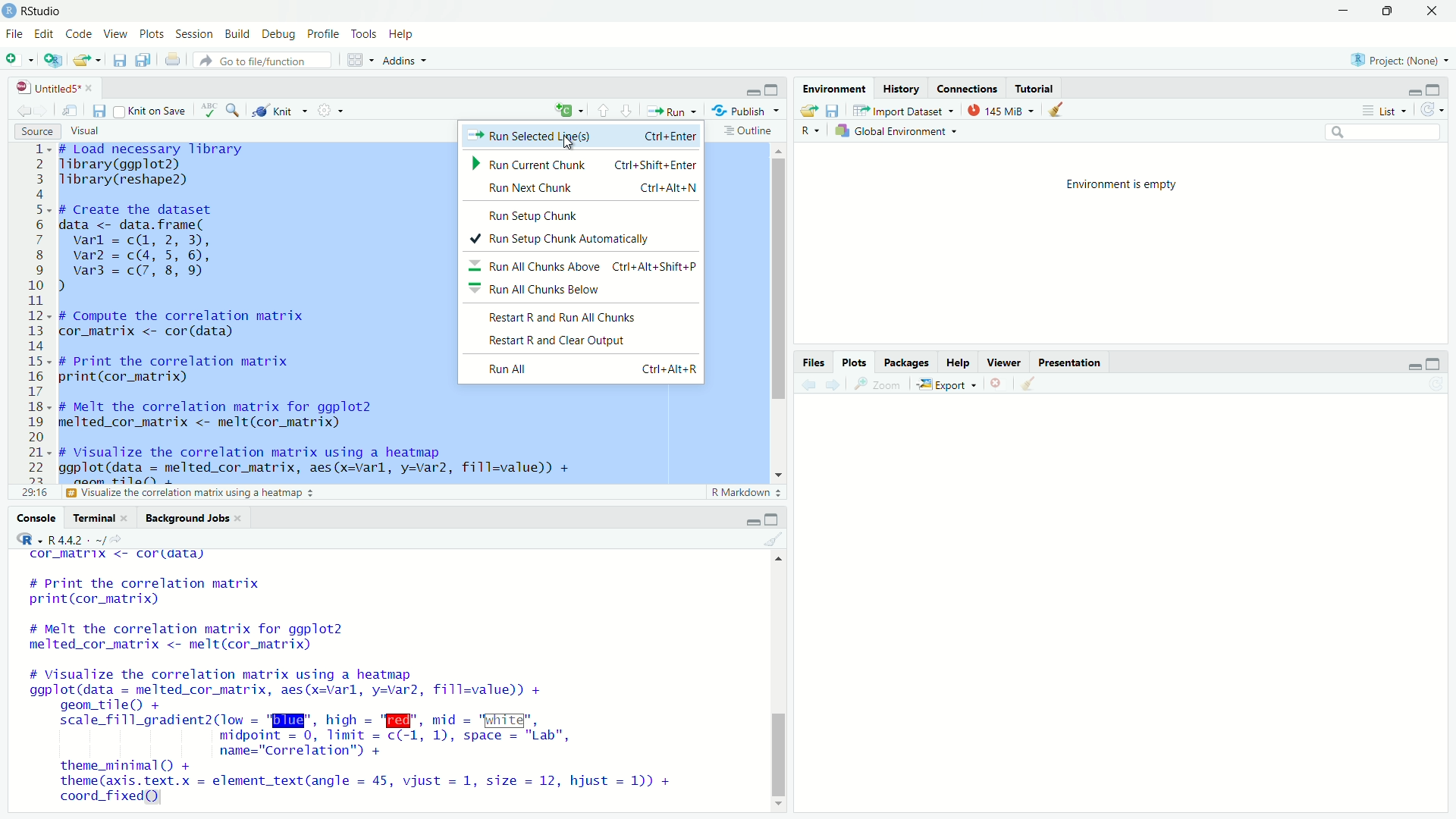 The width and height of the screenshot is (1456, 819). What do you see at coordinates (43, 11) in the screenshot?
I see `RStudio` at bounding box center [43, 11].